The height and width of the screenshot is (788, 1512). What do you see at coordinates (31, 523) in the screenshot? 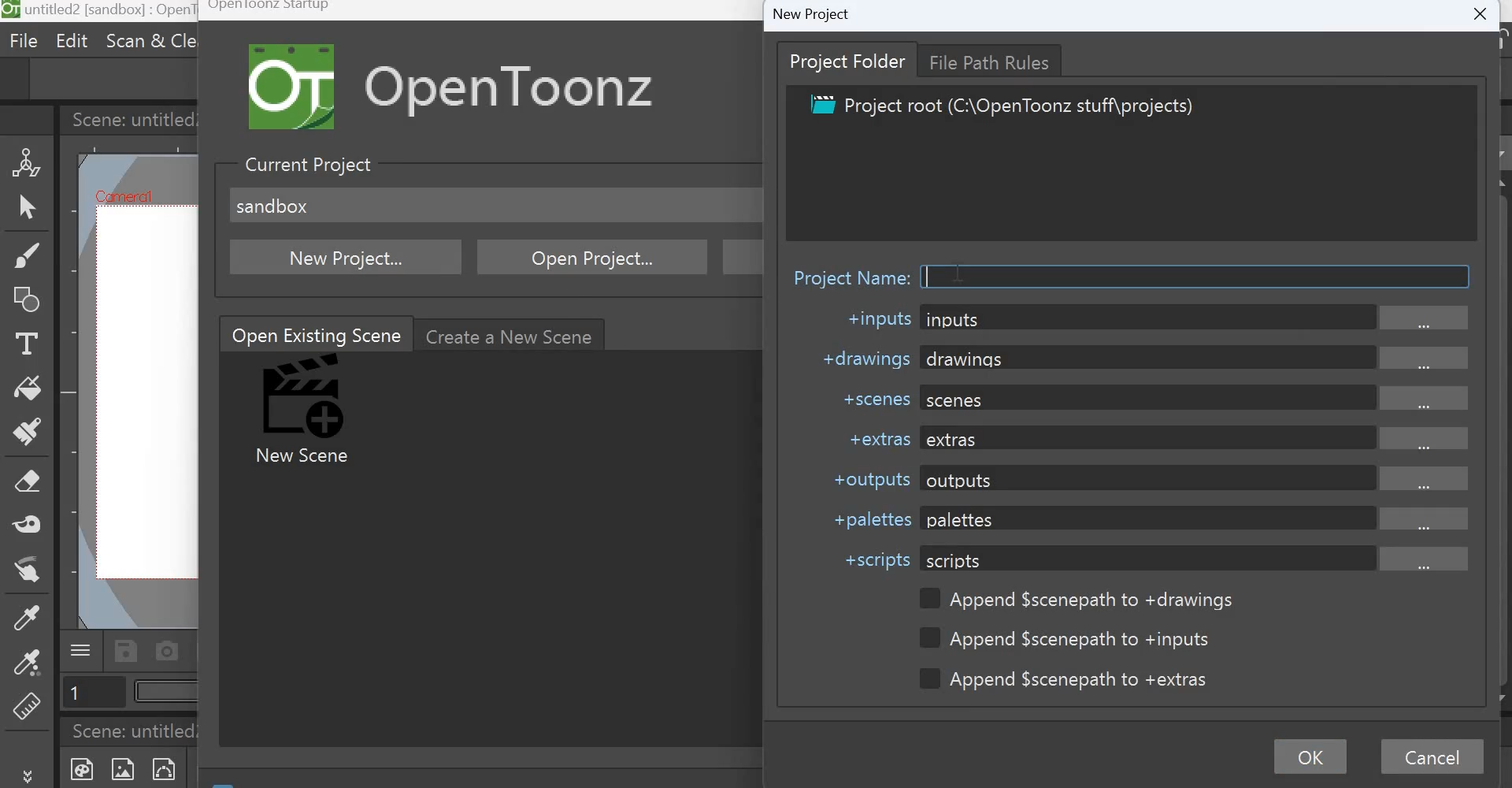
I see `Tape tool` at bounding box center [31, 523].